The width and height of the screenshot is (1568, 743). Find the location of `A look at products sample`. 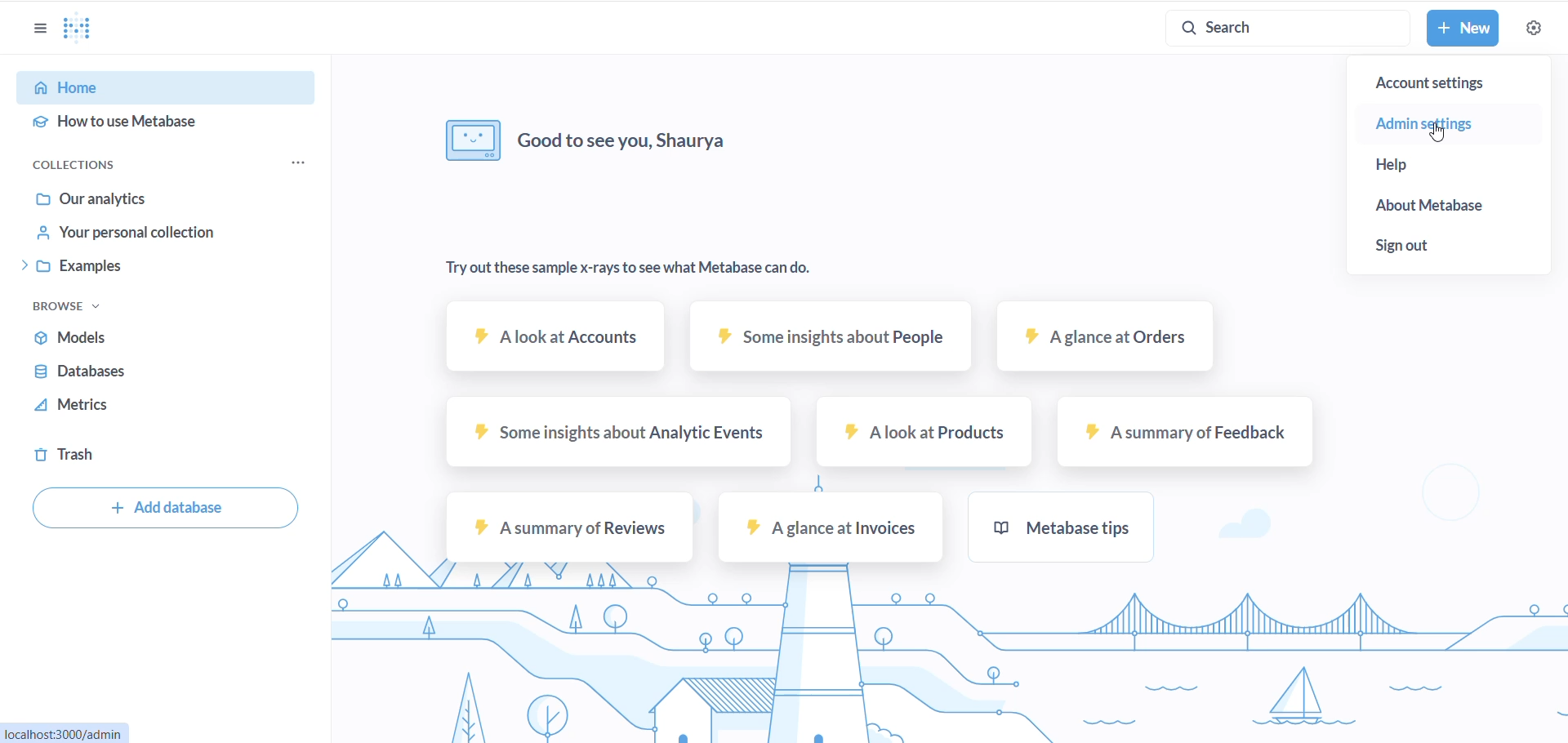

A look at products sample is located at coordinates (920, 434).